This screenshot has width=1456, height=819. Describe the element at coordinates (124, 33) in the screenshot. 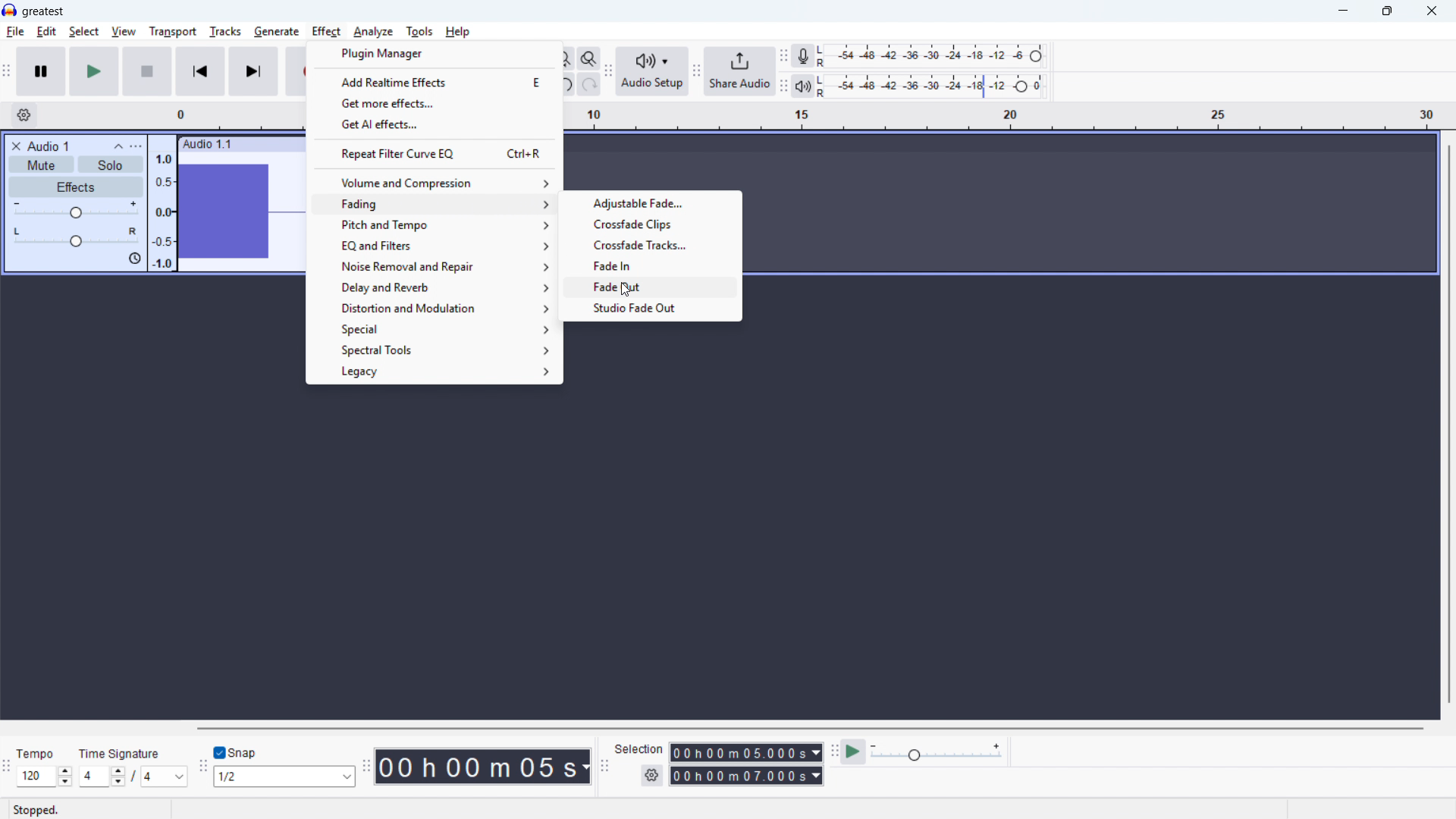

I see `view` at that location.